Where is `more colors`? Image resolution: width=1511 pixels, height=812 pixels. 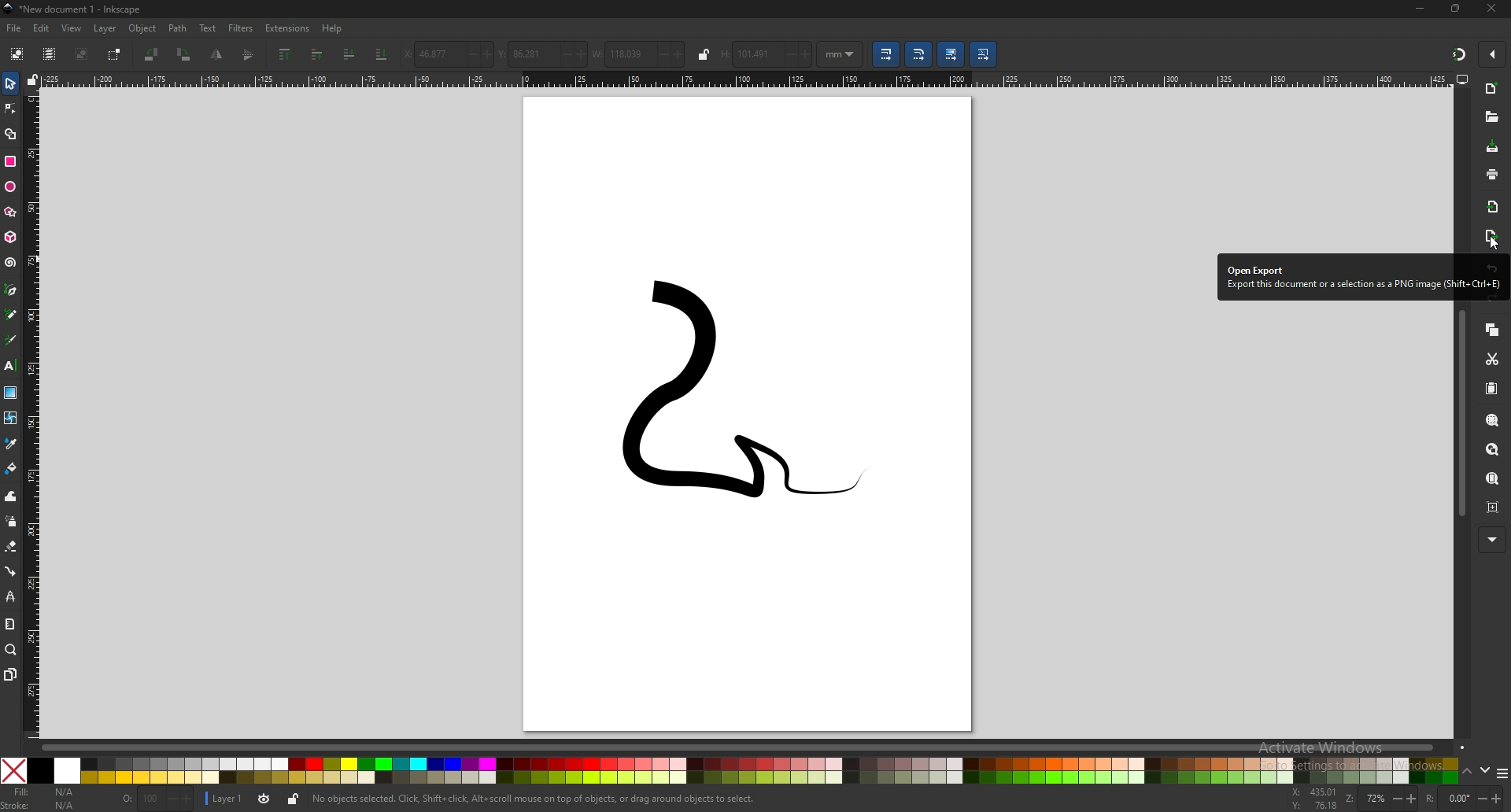 more colors is located at coordinates (1502, 772).